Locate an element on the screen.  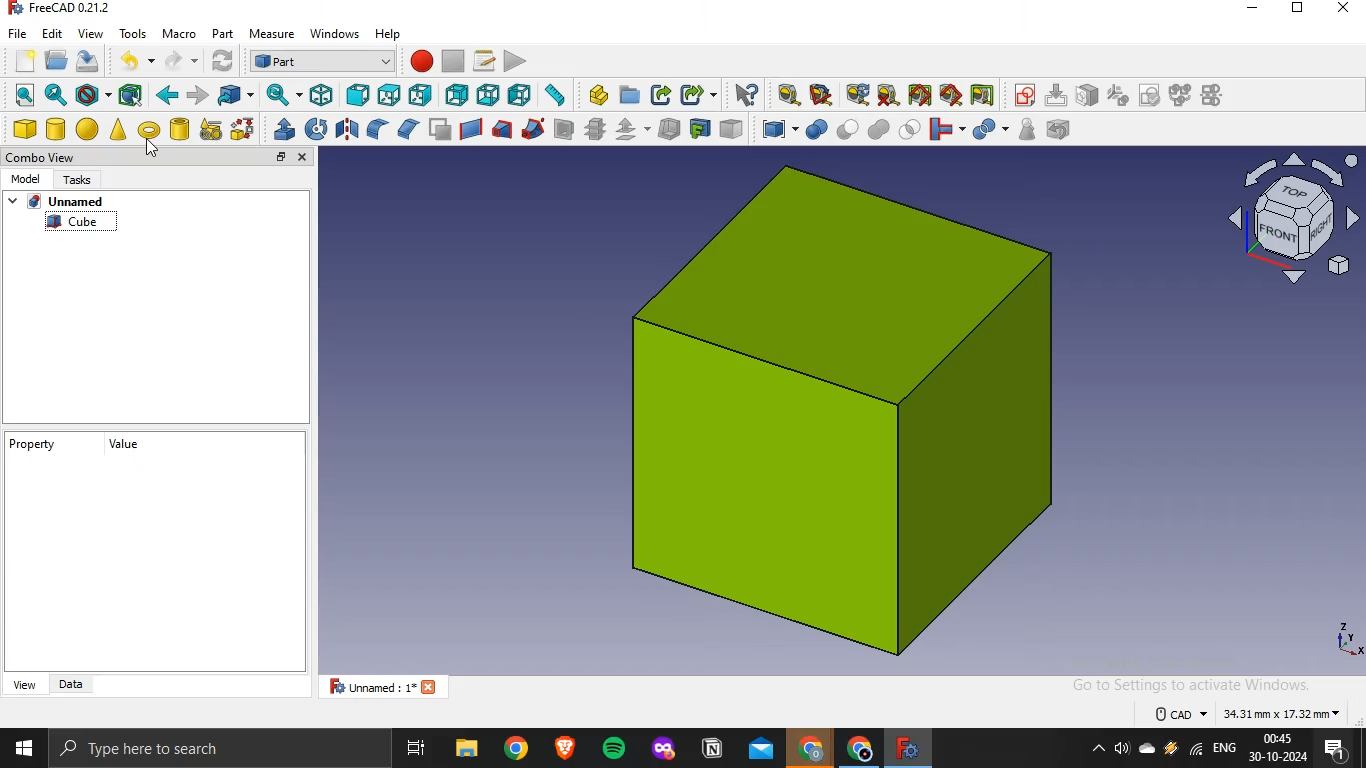
section is located at coordinates (563, 129).